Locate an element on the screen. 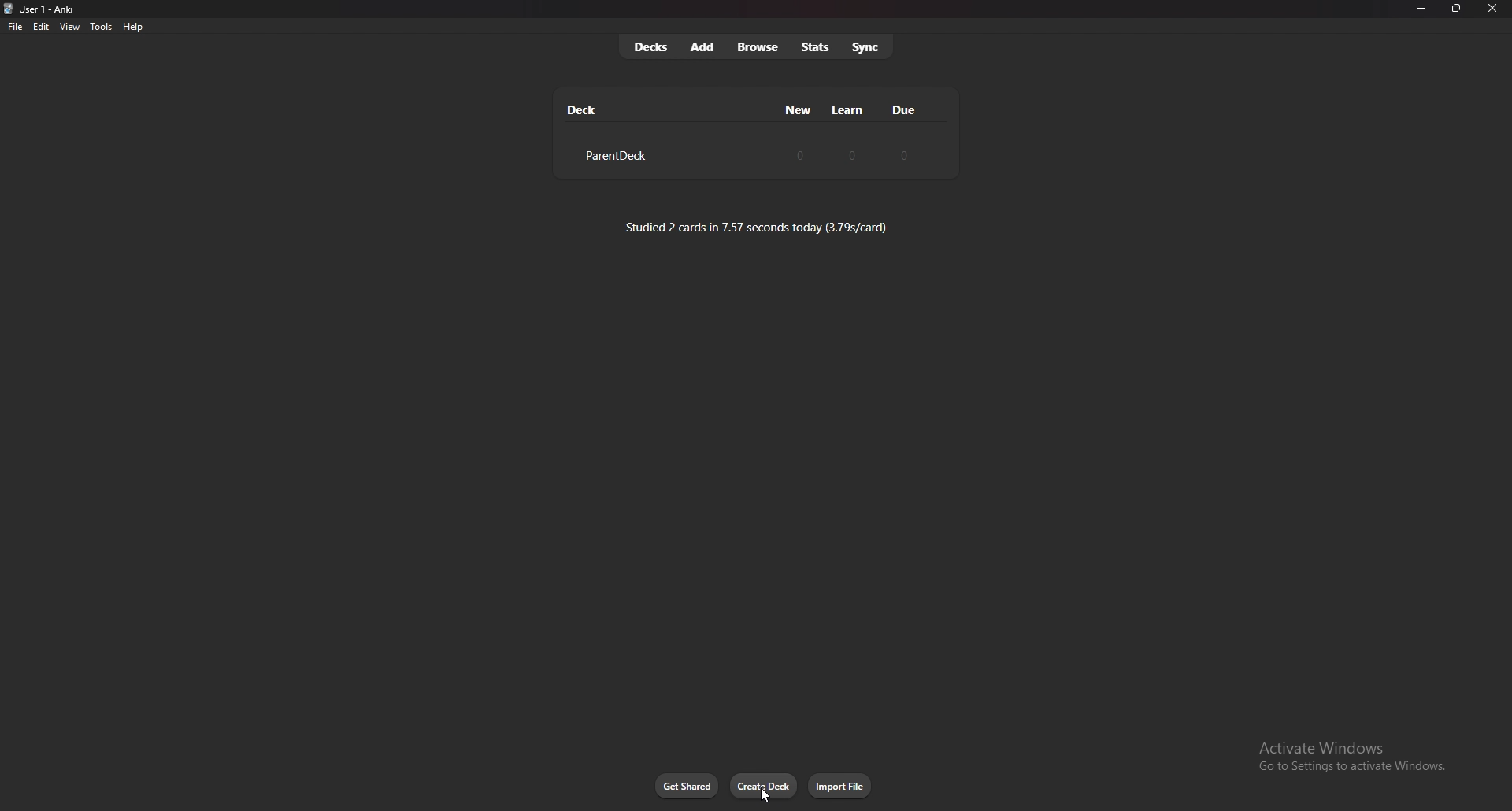 The height and width of the screenshot is (811, 1512). view is located at coordinates (69, 26).